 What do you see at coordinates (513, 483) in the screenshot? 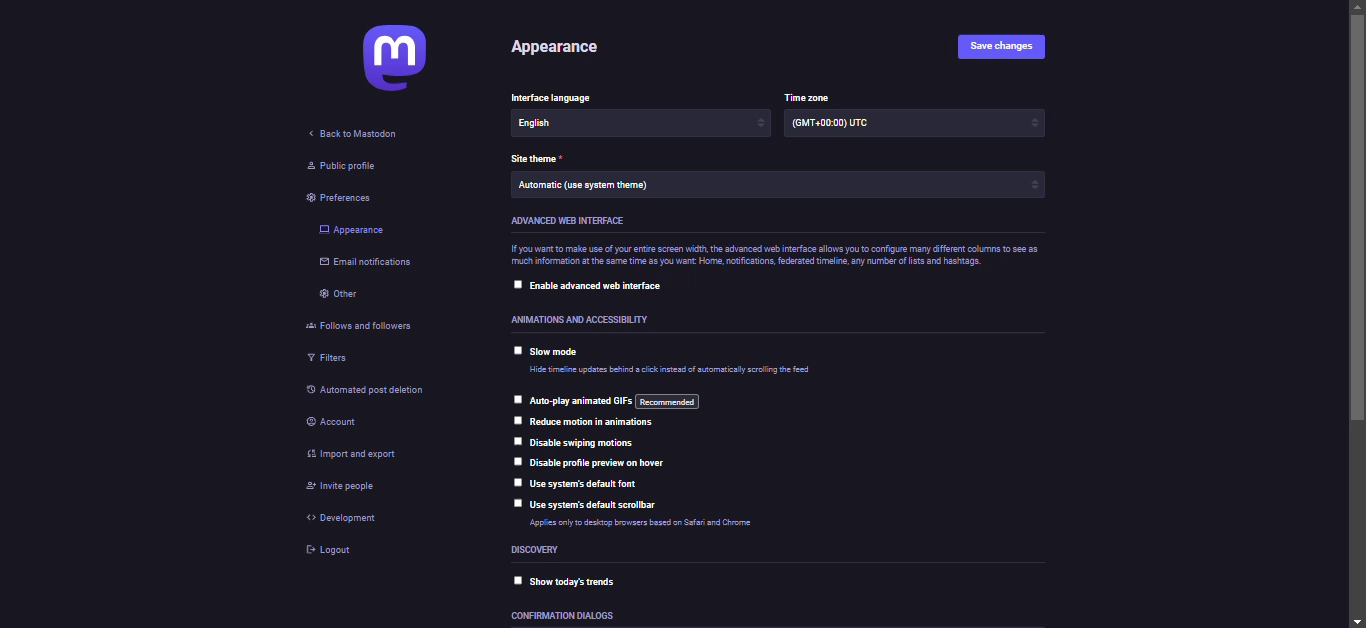
I see `click to select` at bounding box center [513, 483].